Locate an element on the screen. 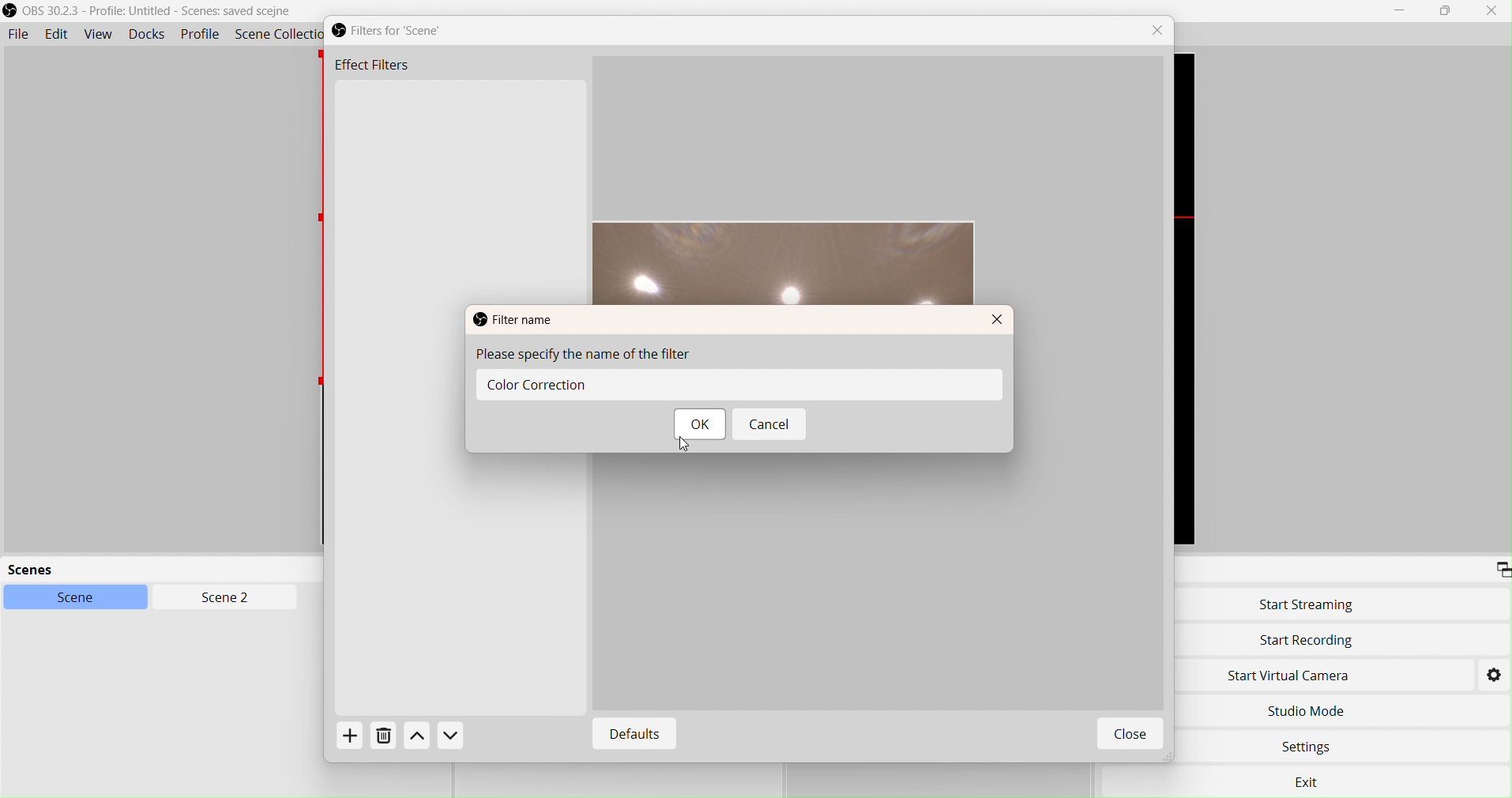  Color Correction is located at coordinates (653, 386).